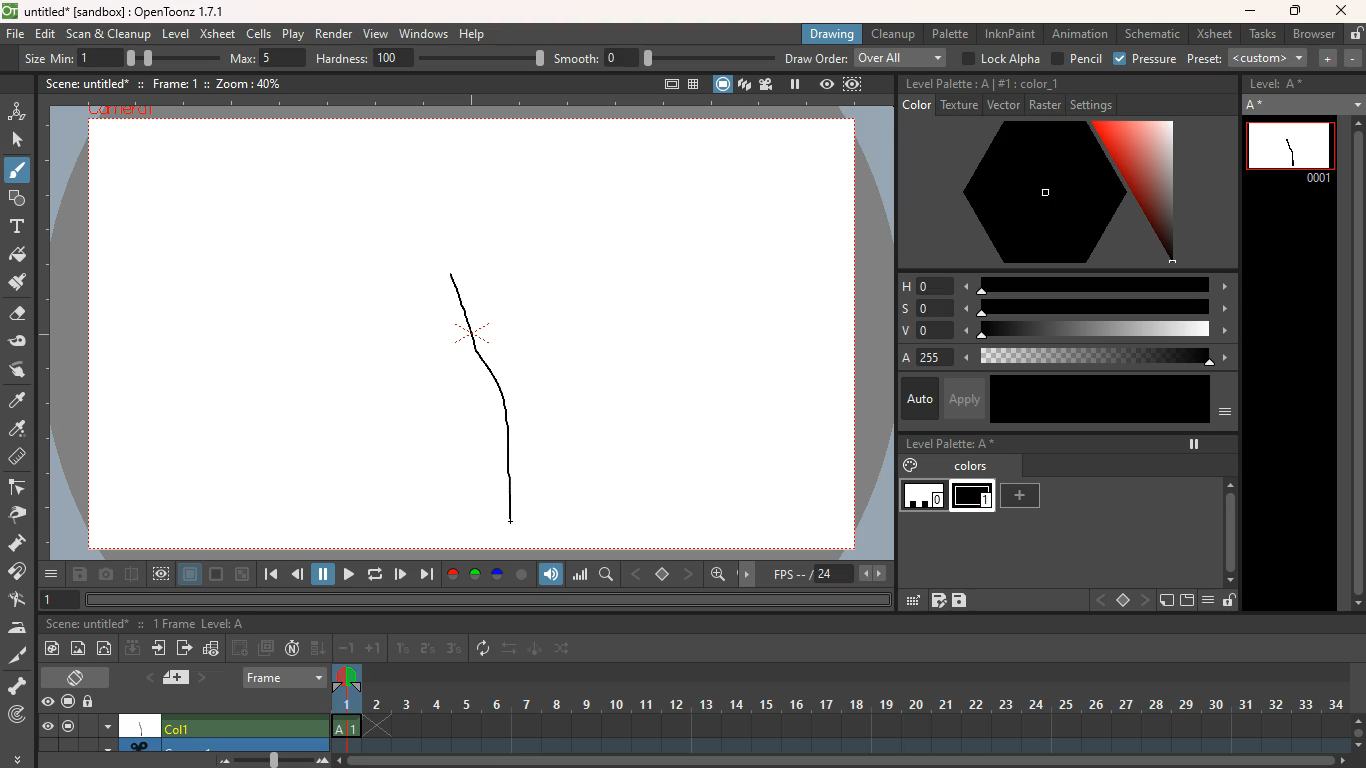  What do you see at coordinates (1100, 399) in the screenshot?
I see `color` at bounding box center [1100, 399].